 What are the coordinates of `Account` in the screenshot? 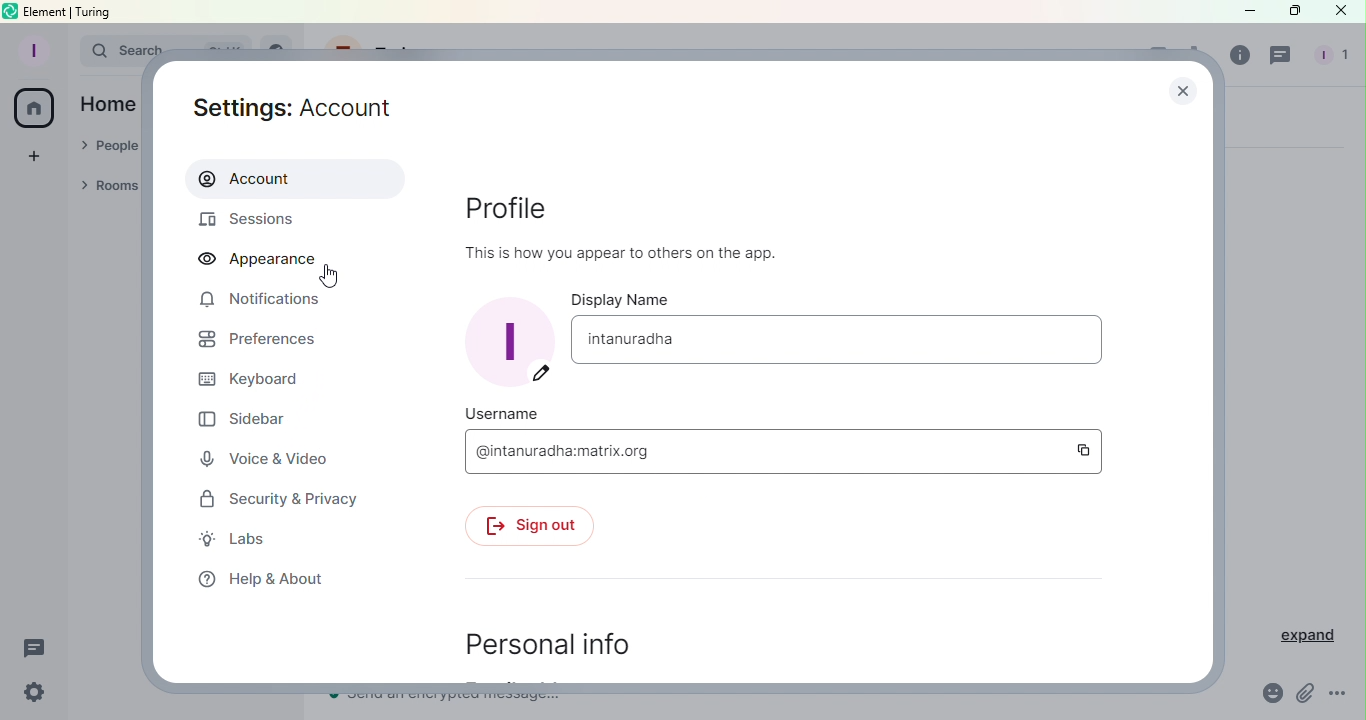 It's located at (292, 181).